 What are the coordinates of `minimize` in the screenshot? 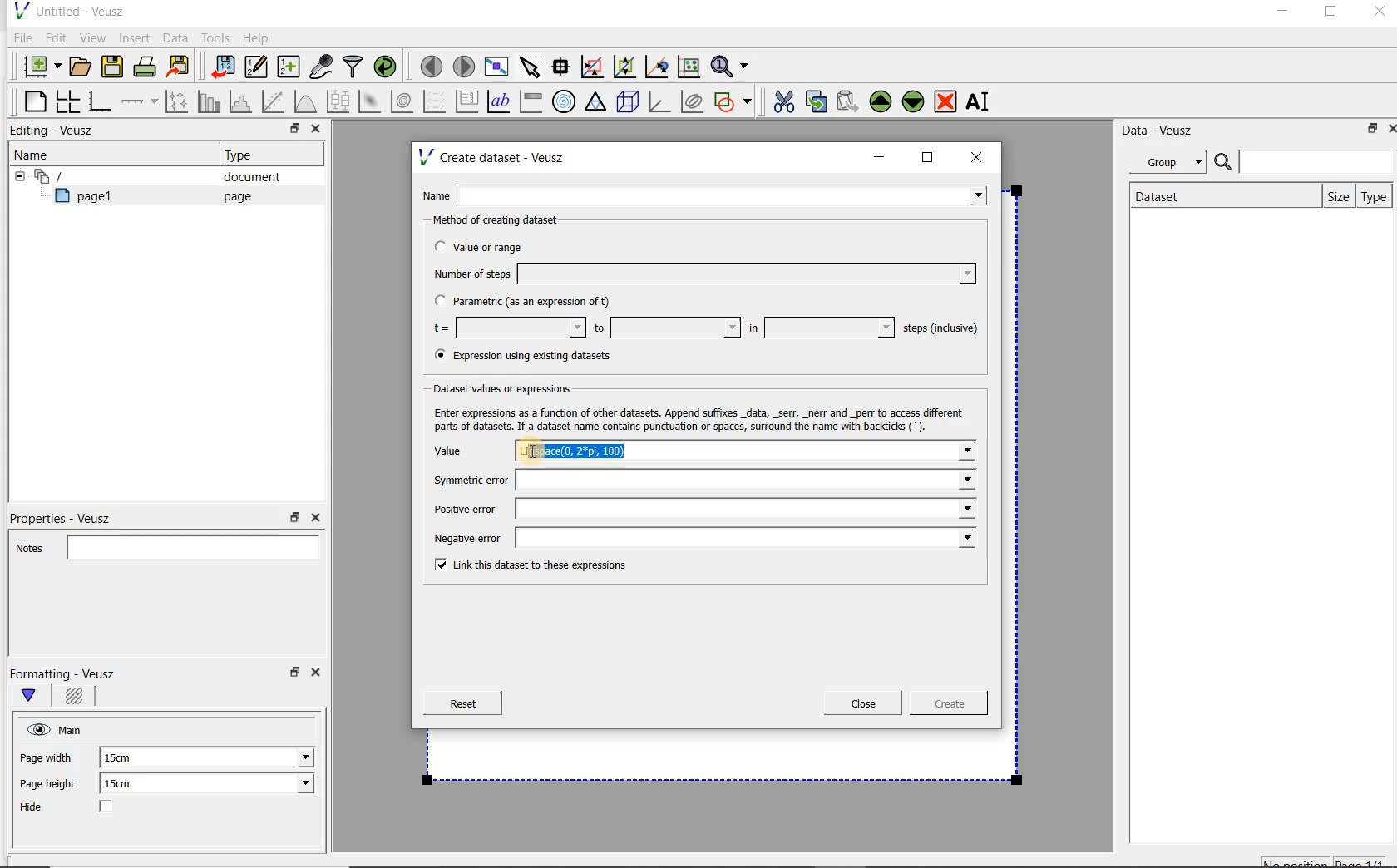 It's located at (1281, 13).